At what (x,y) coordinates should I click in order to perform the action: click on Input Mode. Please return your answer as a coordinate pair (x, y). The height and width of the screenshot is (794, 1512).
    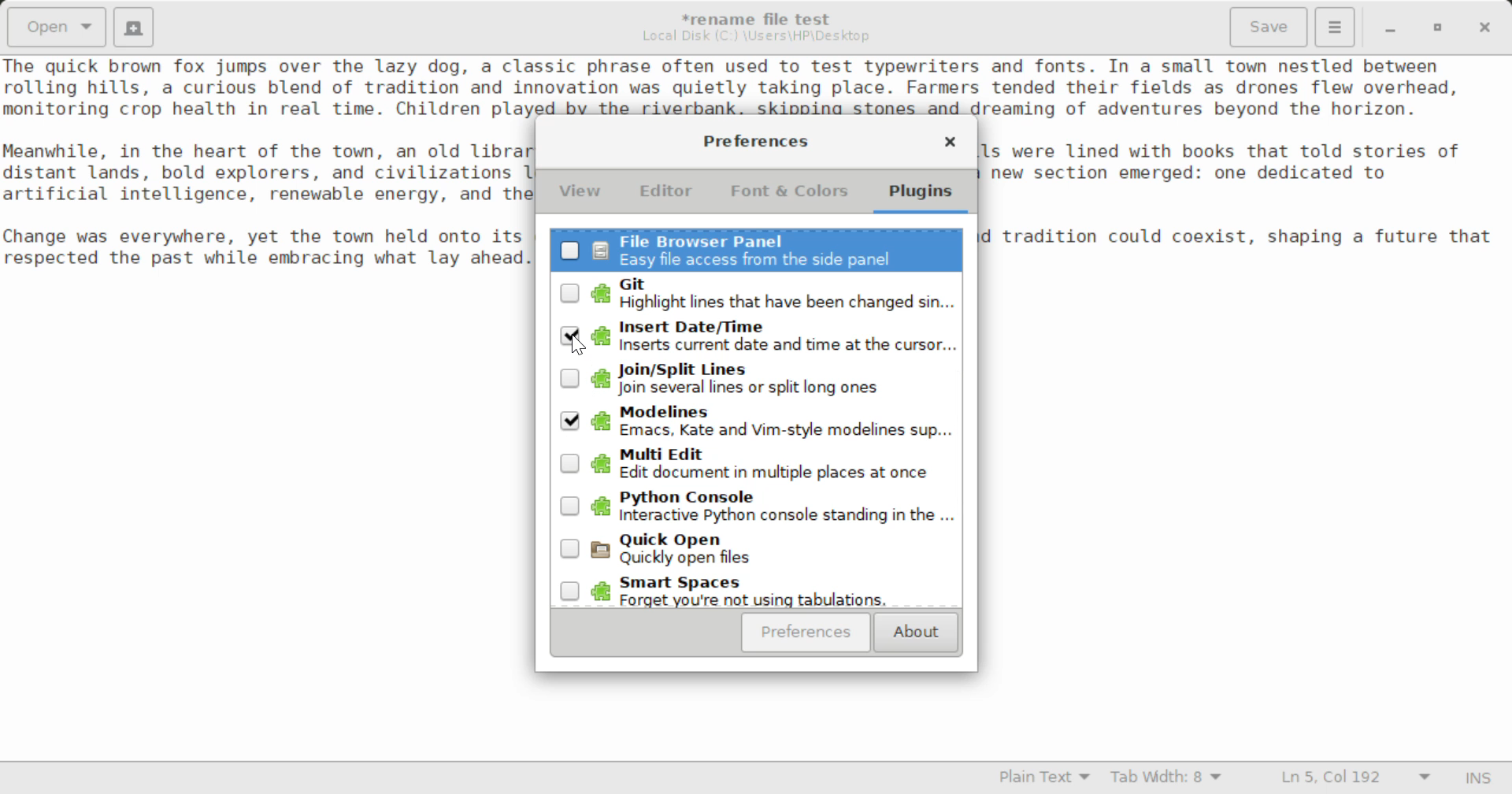
    Looking at the image, I should click on (1478, 780).